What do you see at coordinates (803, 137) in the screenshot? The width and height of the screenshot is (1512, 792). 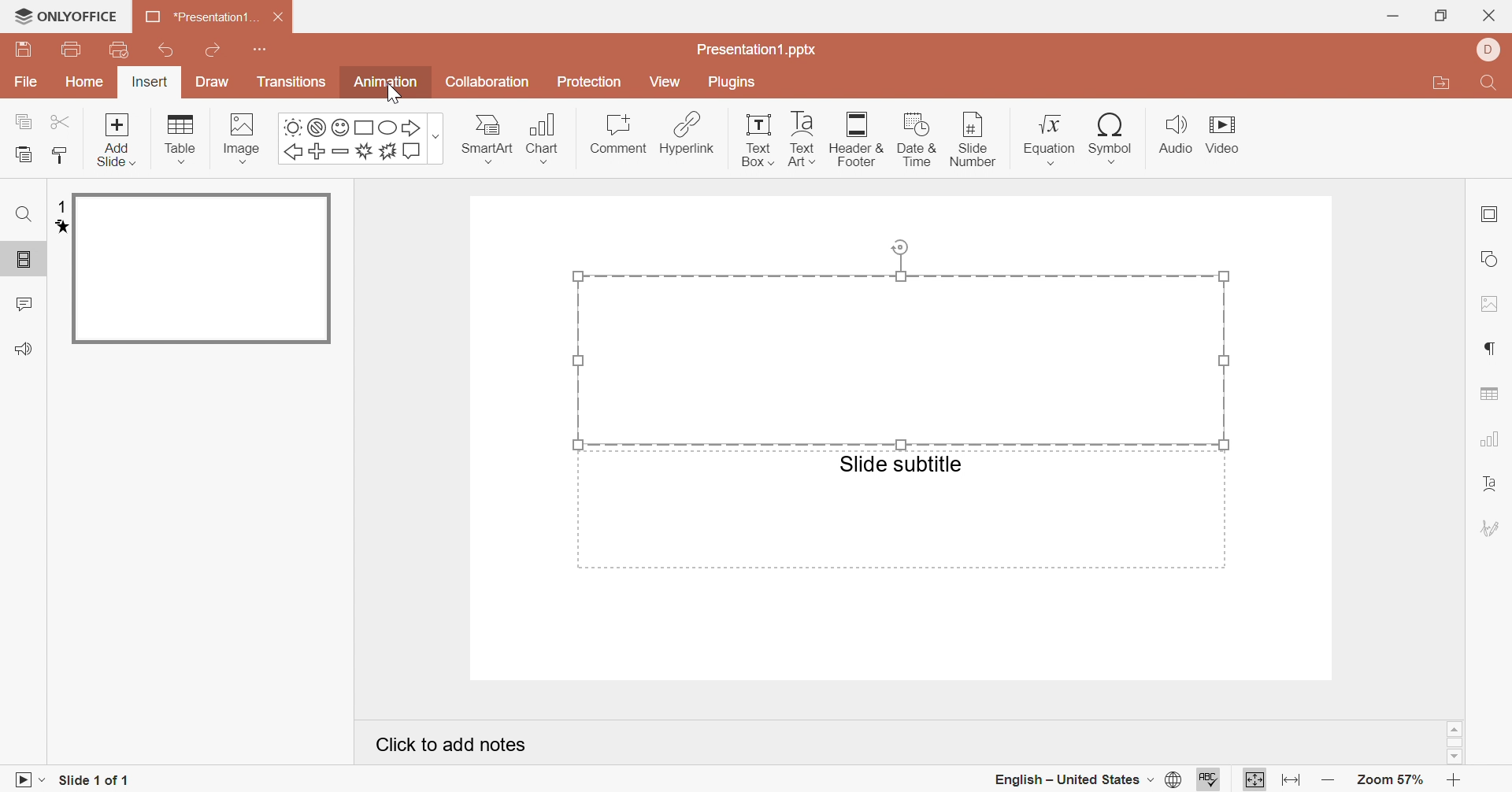 I see `text art` at bounding box center [803, 137].